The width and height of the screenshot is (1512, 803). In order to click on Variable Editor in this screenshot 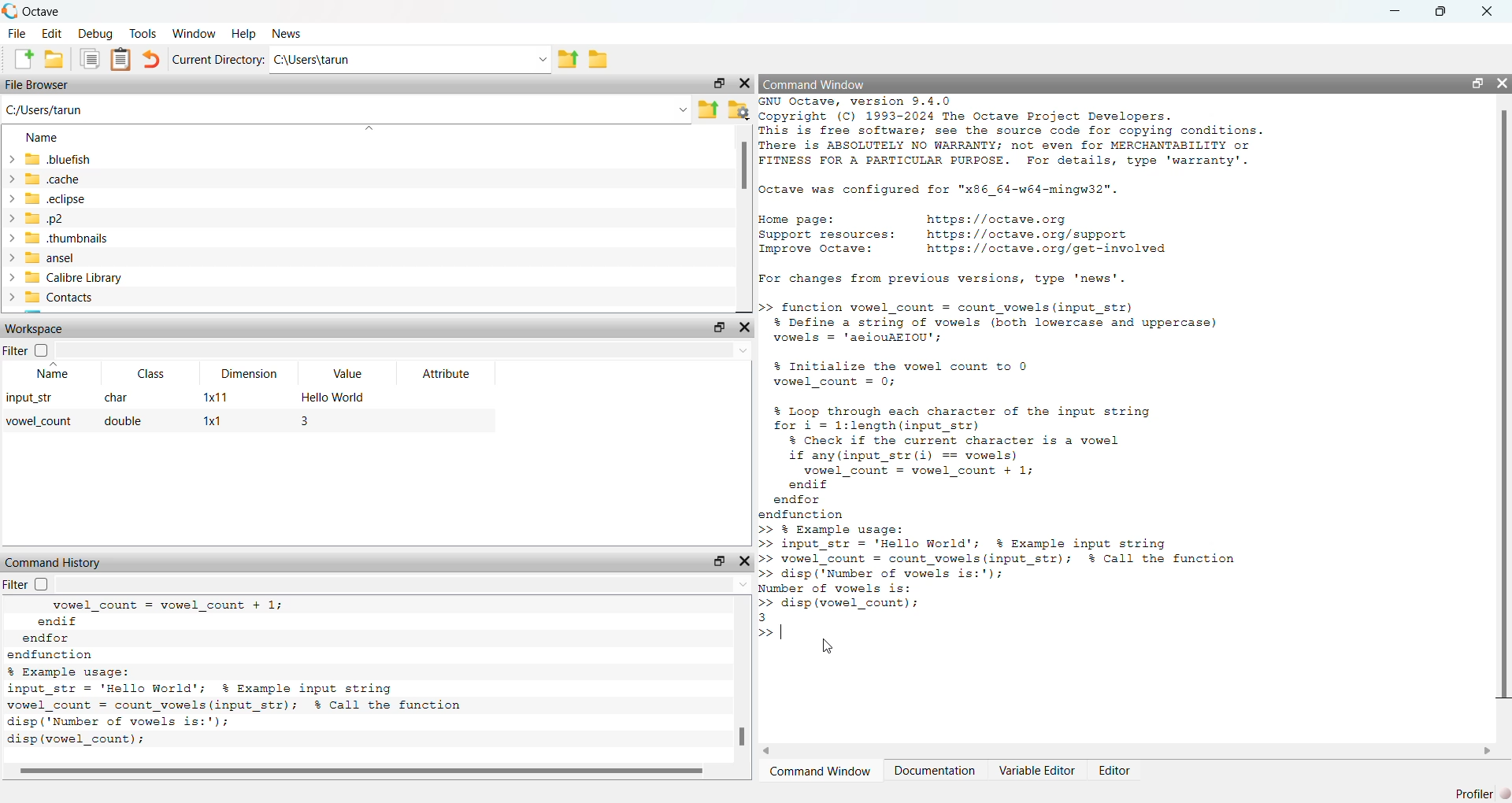, I will do `click(1038, 771)`.